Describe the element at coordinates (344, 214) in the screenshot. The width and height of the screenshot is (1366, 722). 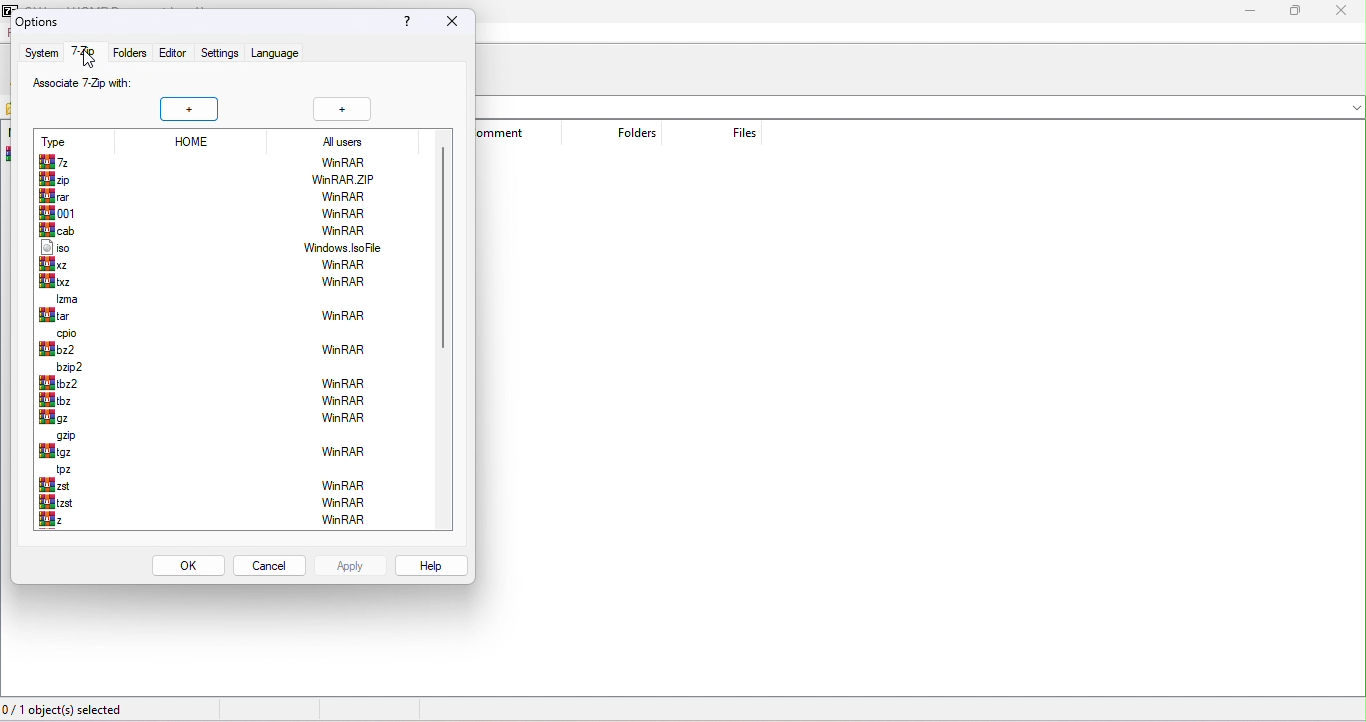
I see `winrar` at that location.